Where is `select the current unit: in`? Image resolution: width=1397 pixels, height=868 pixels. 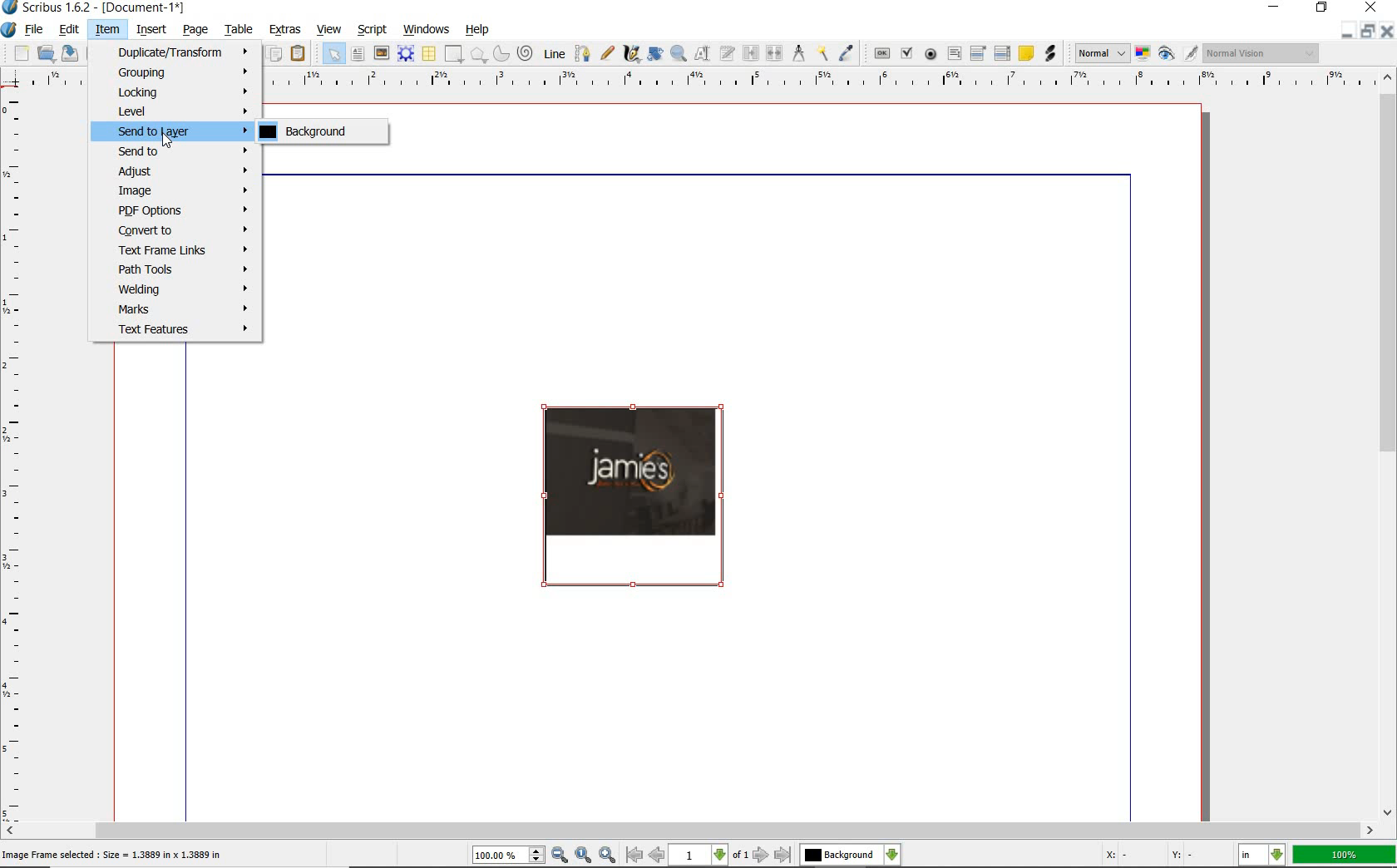
select the current unit: in is located at coordinates (1261, 853).